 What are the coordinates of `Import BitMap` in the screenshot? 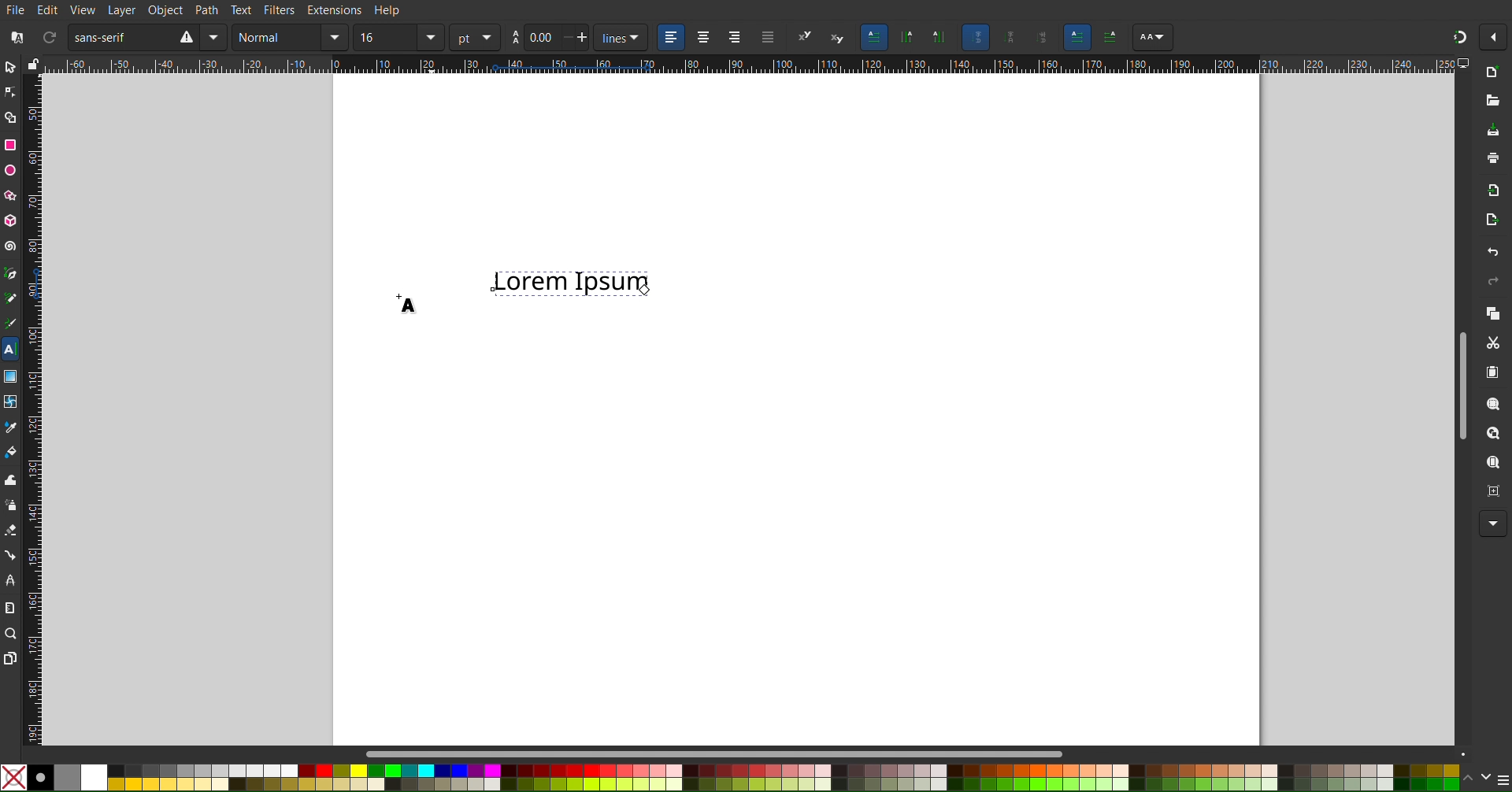 It's located at (1489, 188).